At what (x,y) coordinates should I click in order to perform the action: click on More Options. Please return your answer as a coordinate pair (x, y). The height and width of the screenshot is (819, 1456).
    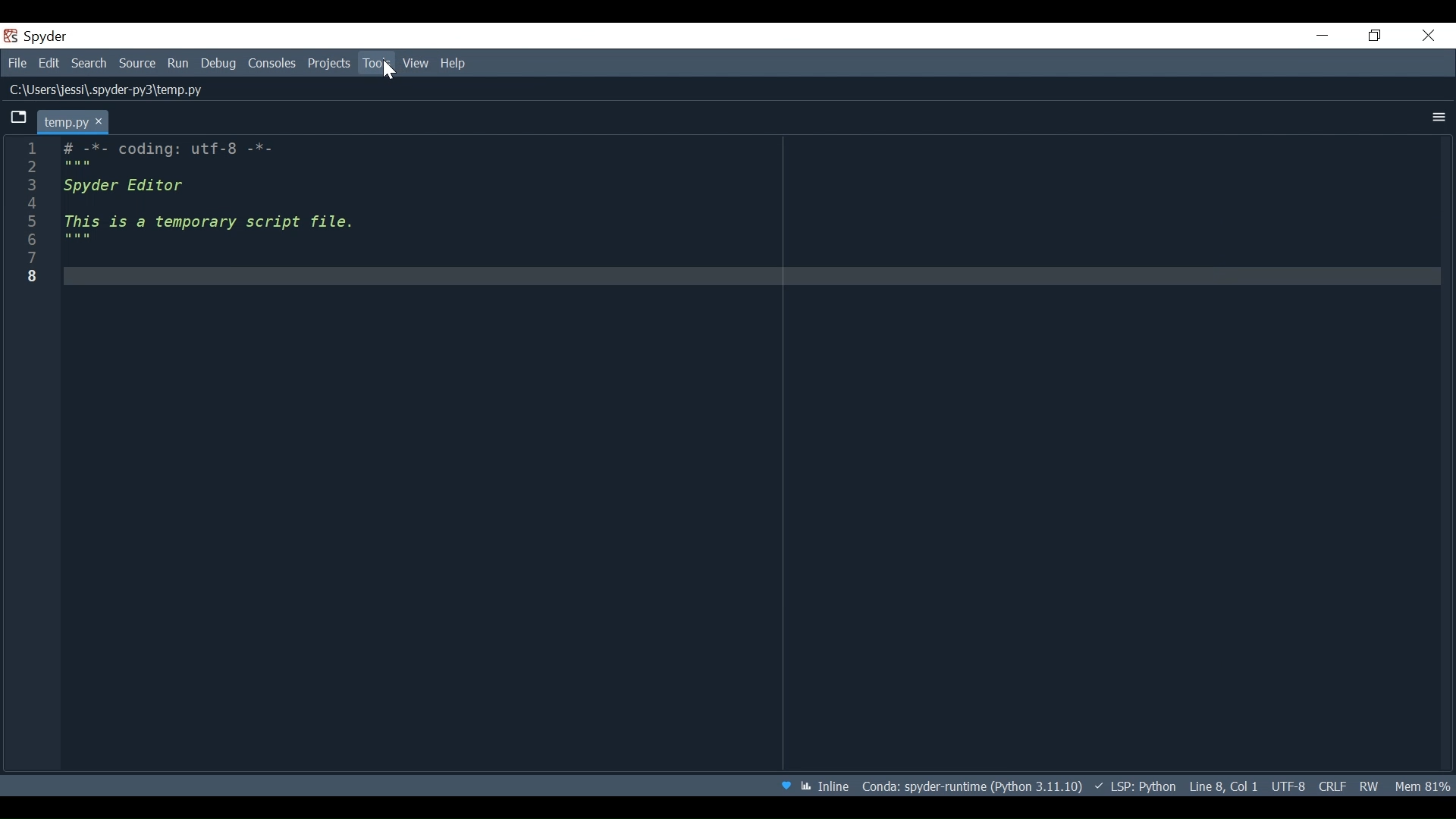
    Looking at the image, I should click on (1439, 117).